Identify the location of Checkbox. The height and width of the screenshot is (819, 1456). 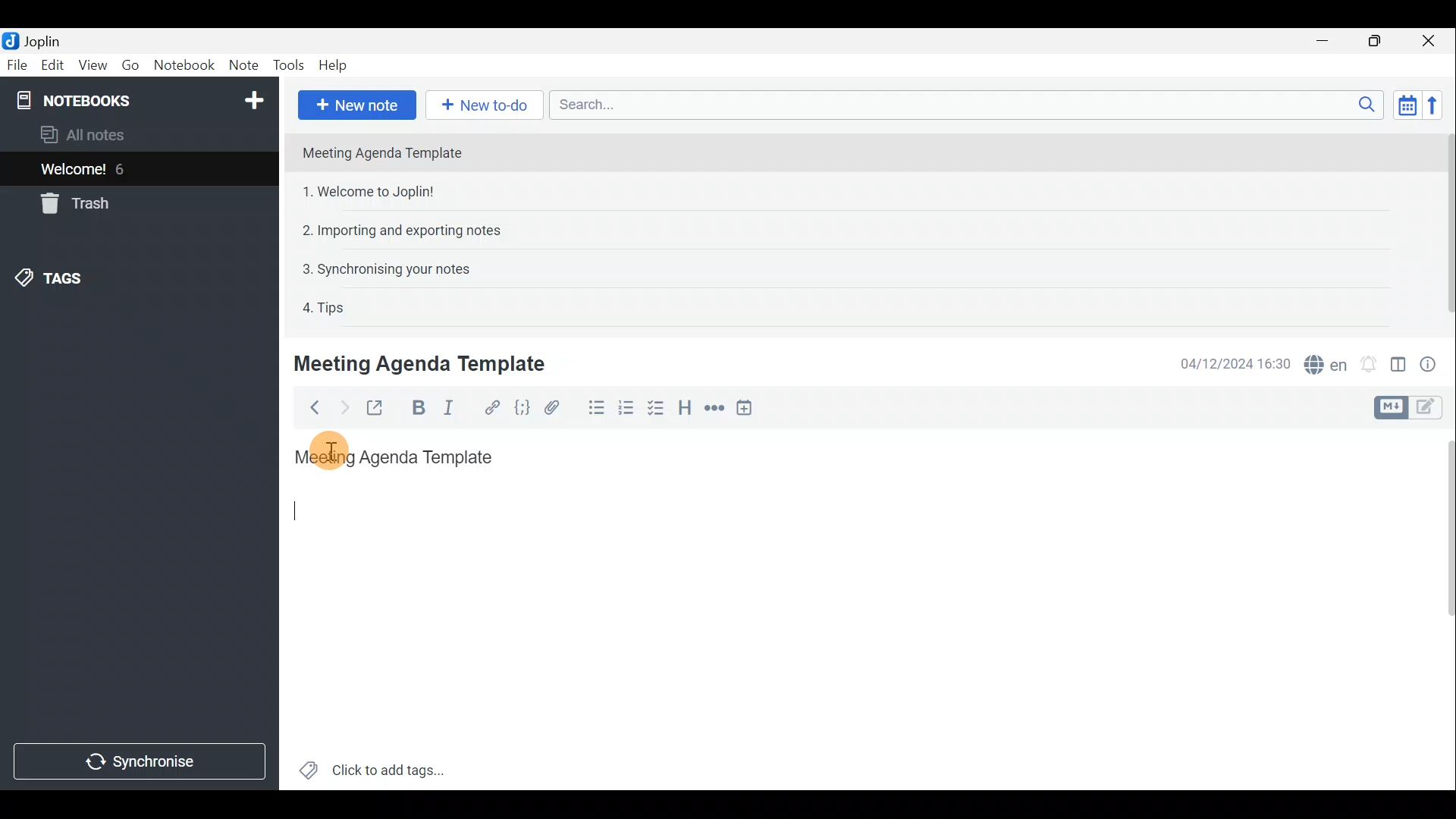
(653, 409).